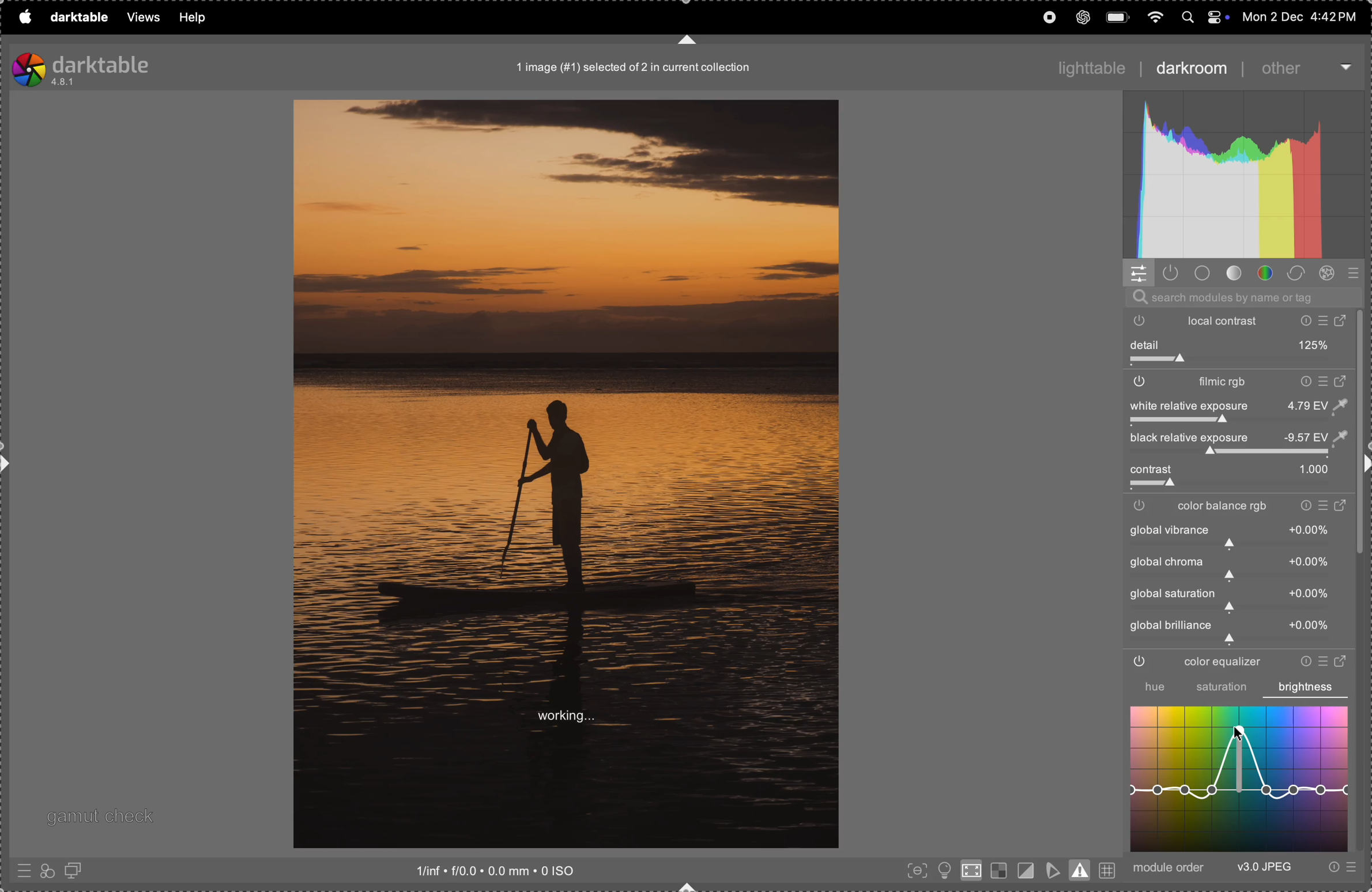  What do you see at coordinates (1238, 486) in the screenshot?
I see `toggle bar` at bounding box center [1238, 486].